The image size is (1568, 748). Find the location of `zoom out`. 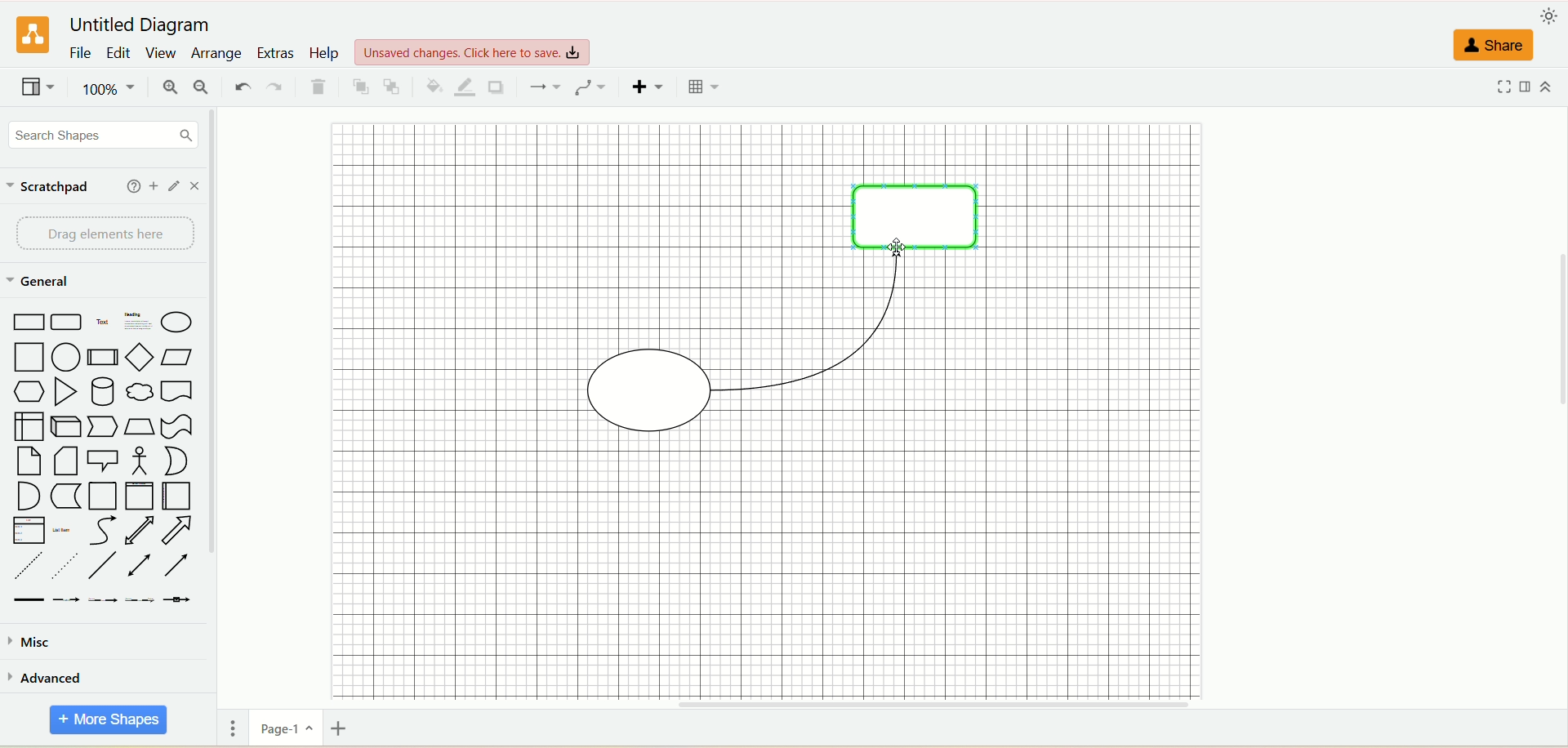

zoom out is located at coordinates (203, 88).